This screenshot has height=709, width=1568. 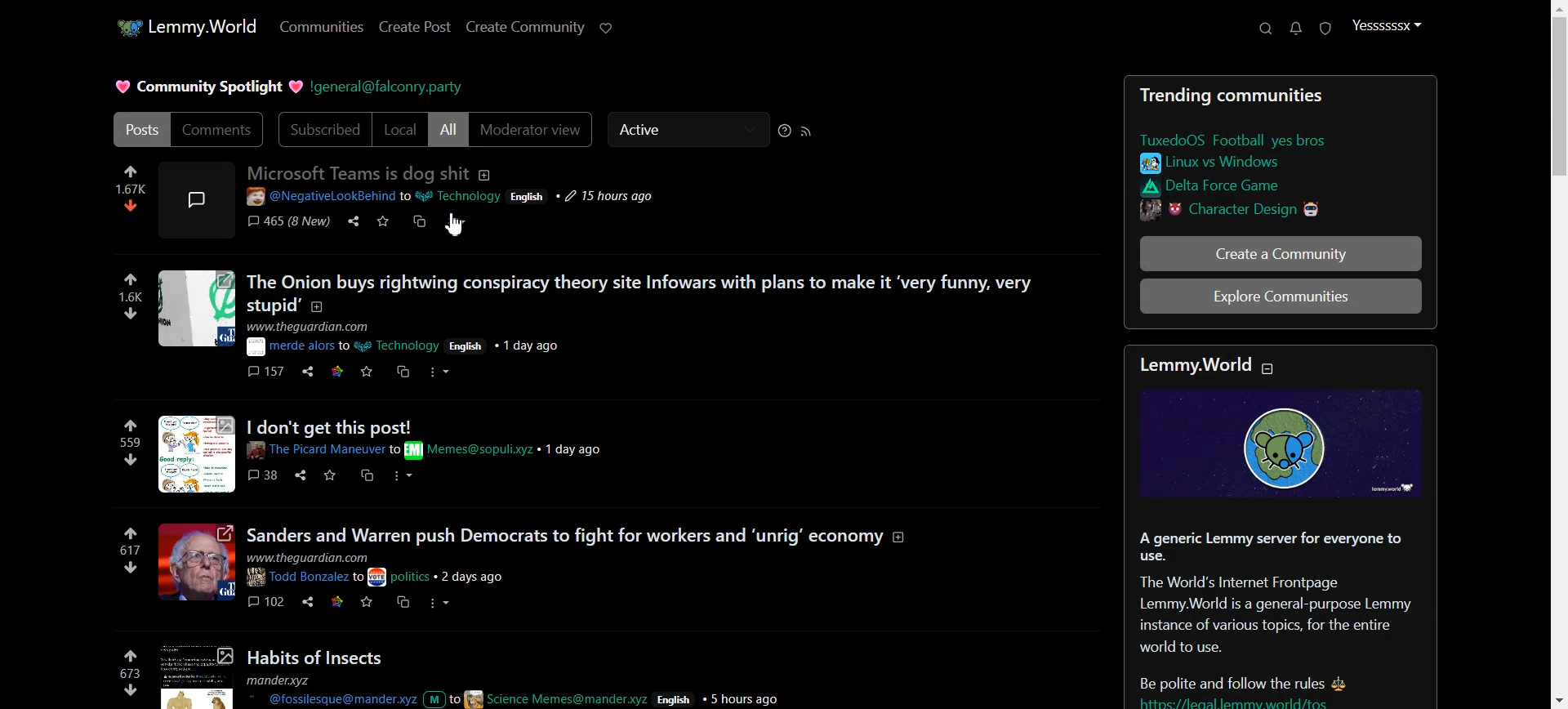 I want to click on cs, so click(x=404, y=372).